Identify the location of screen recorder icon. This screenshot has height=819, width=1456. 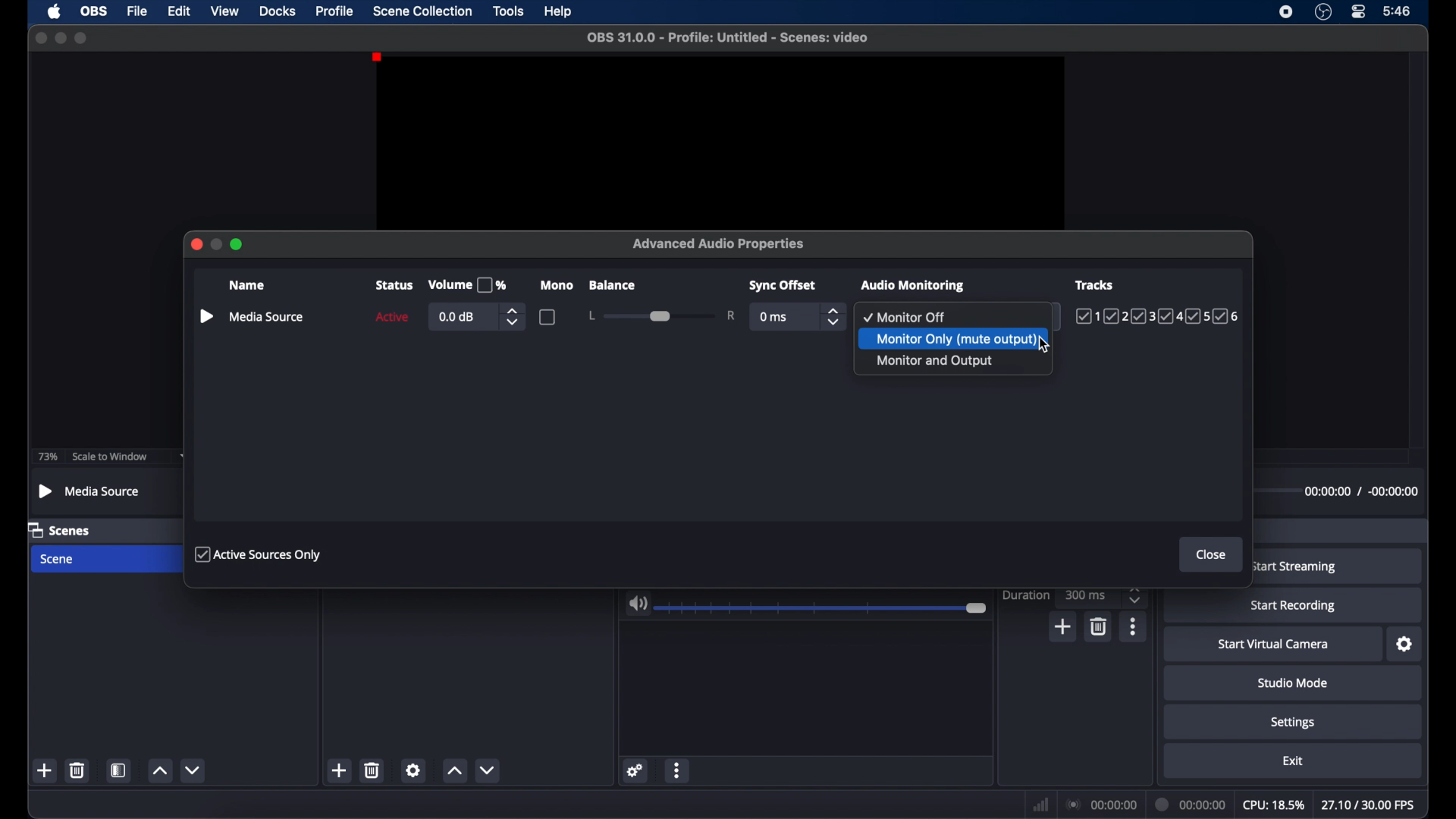
(1286, 11).